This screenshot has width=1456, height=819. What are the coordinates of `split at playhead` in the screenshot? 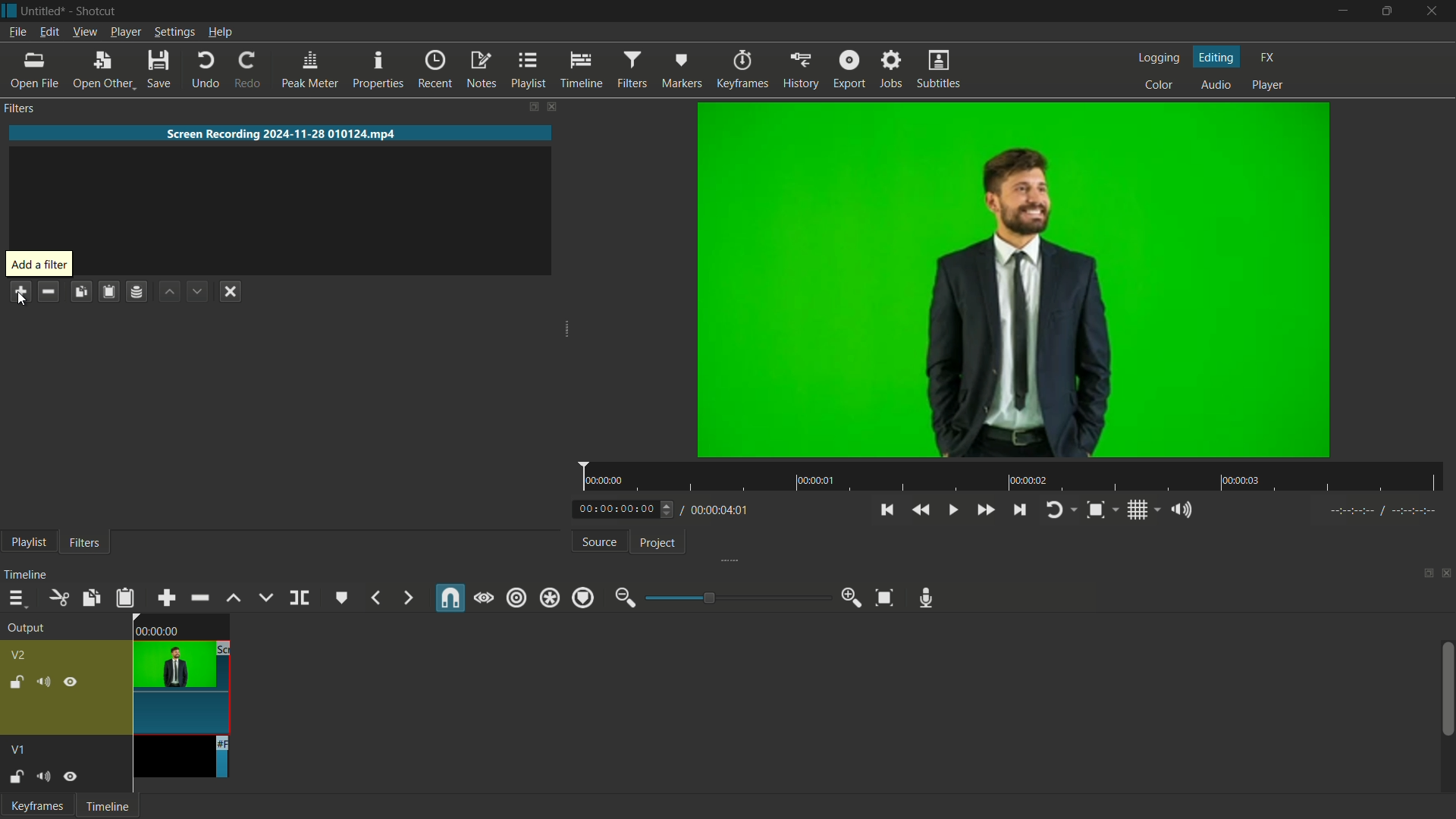 It's located at (300, 598).